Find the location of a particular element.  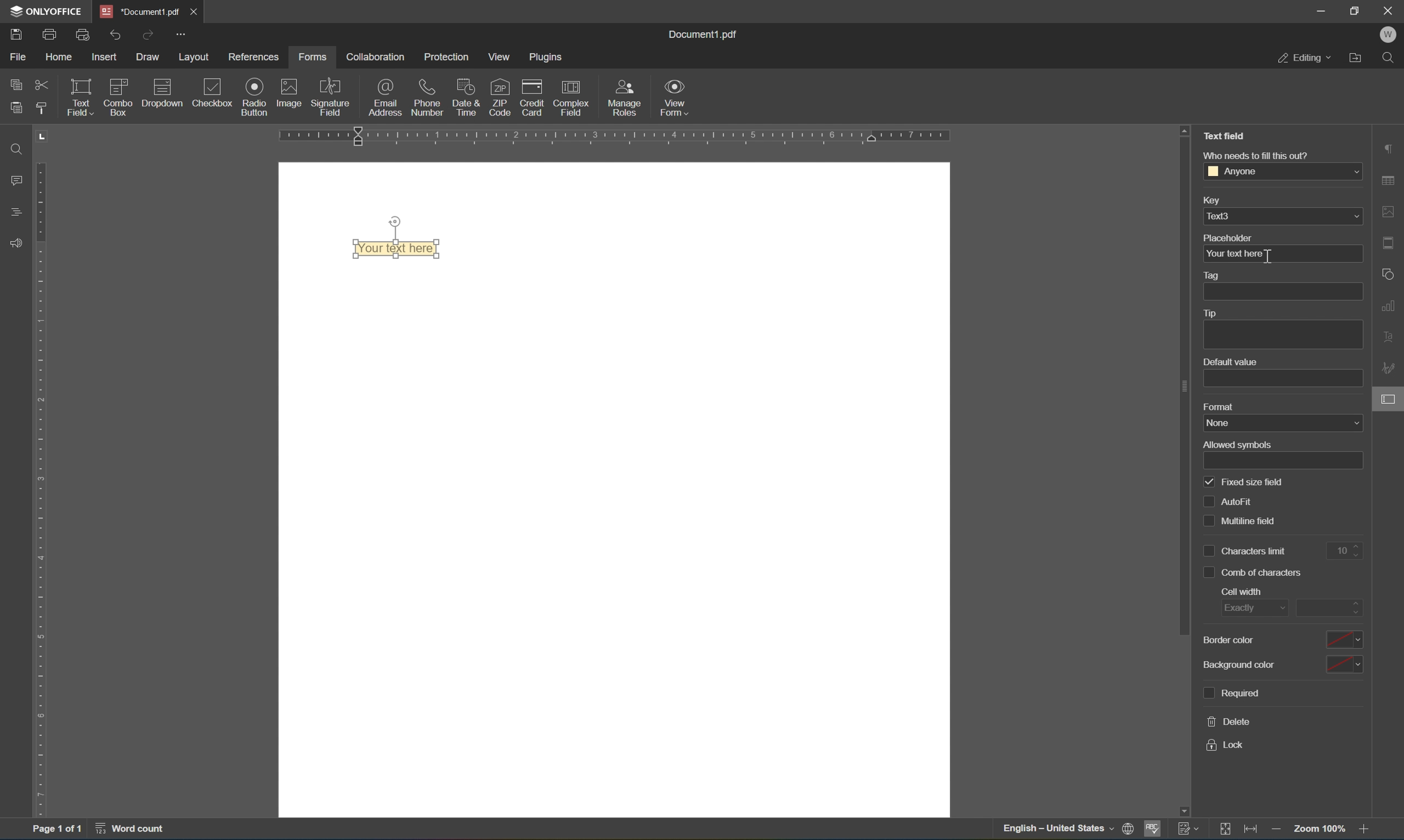

checkbox is located at coordinates (215, 91).